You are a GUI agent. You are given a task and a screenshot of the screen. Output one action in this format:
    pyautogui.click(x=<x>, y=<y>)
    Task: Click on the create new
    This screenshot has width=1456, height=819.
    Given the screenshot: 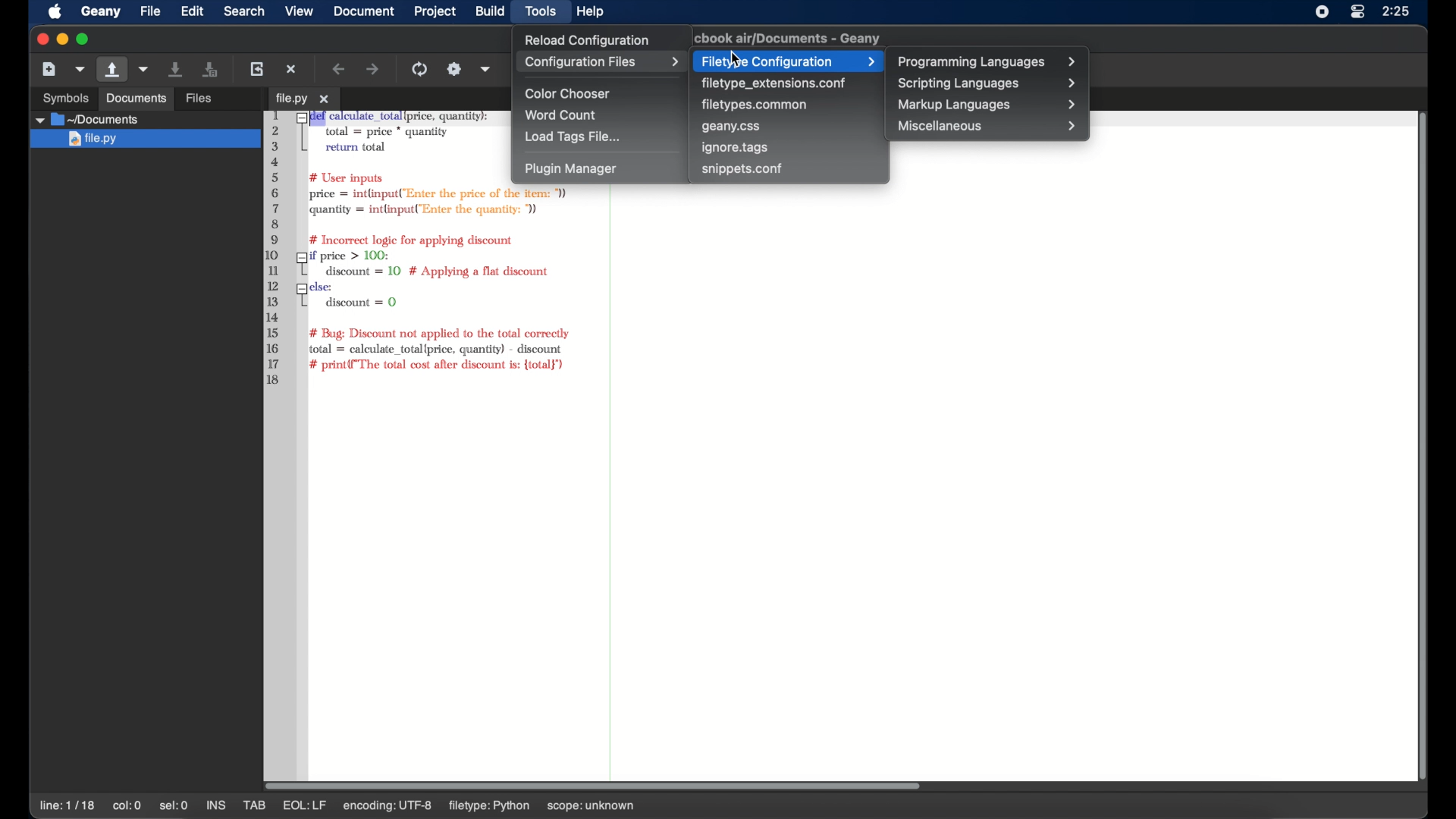 What is the action you would take?
    pyautogui.click(x=49, y=68)
    